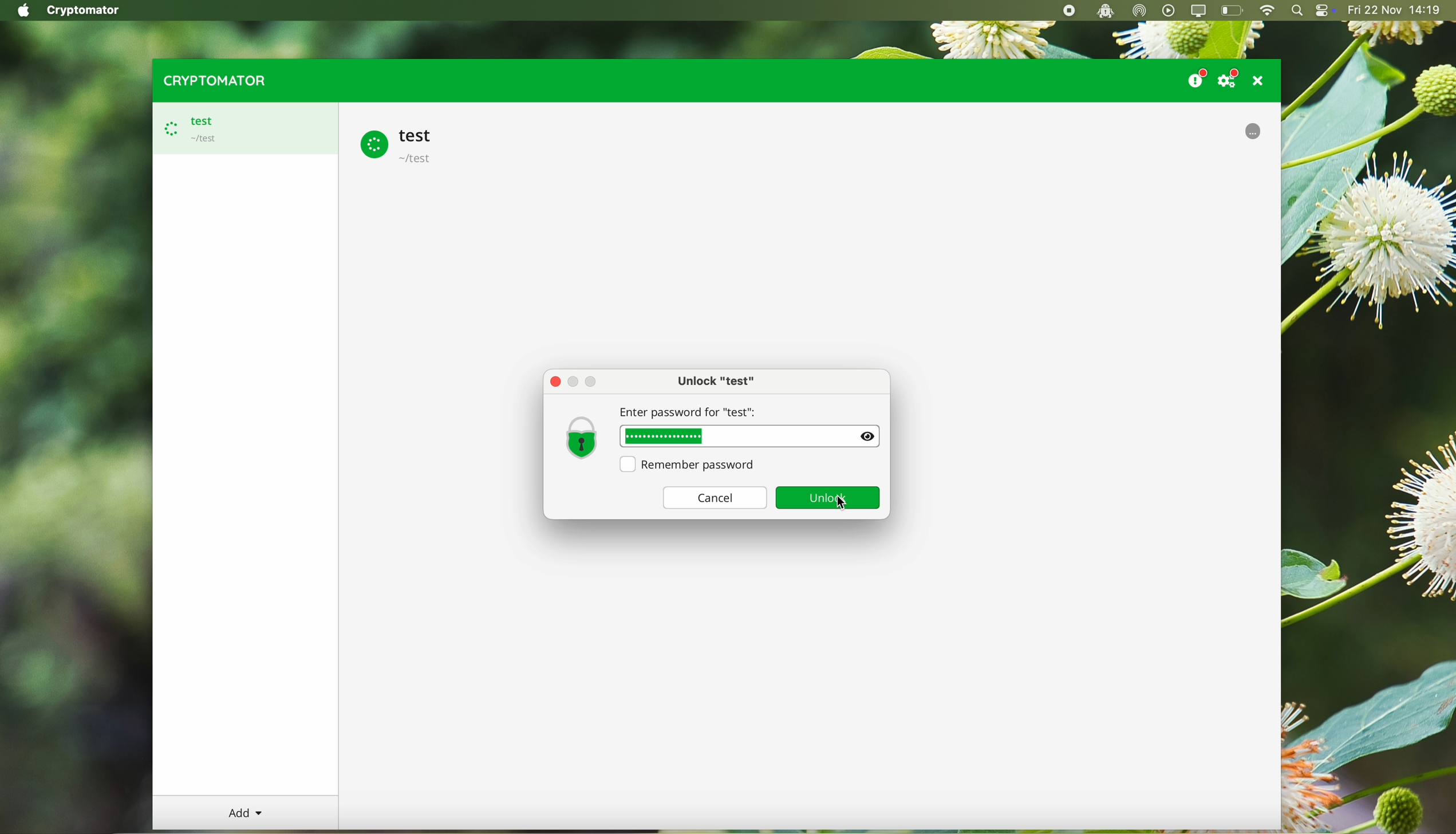  What do you see at coordinates (735, 413) in the screenshot?
I see `enter password for "test"` at bounding box center [735, 413].